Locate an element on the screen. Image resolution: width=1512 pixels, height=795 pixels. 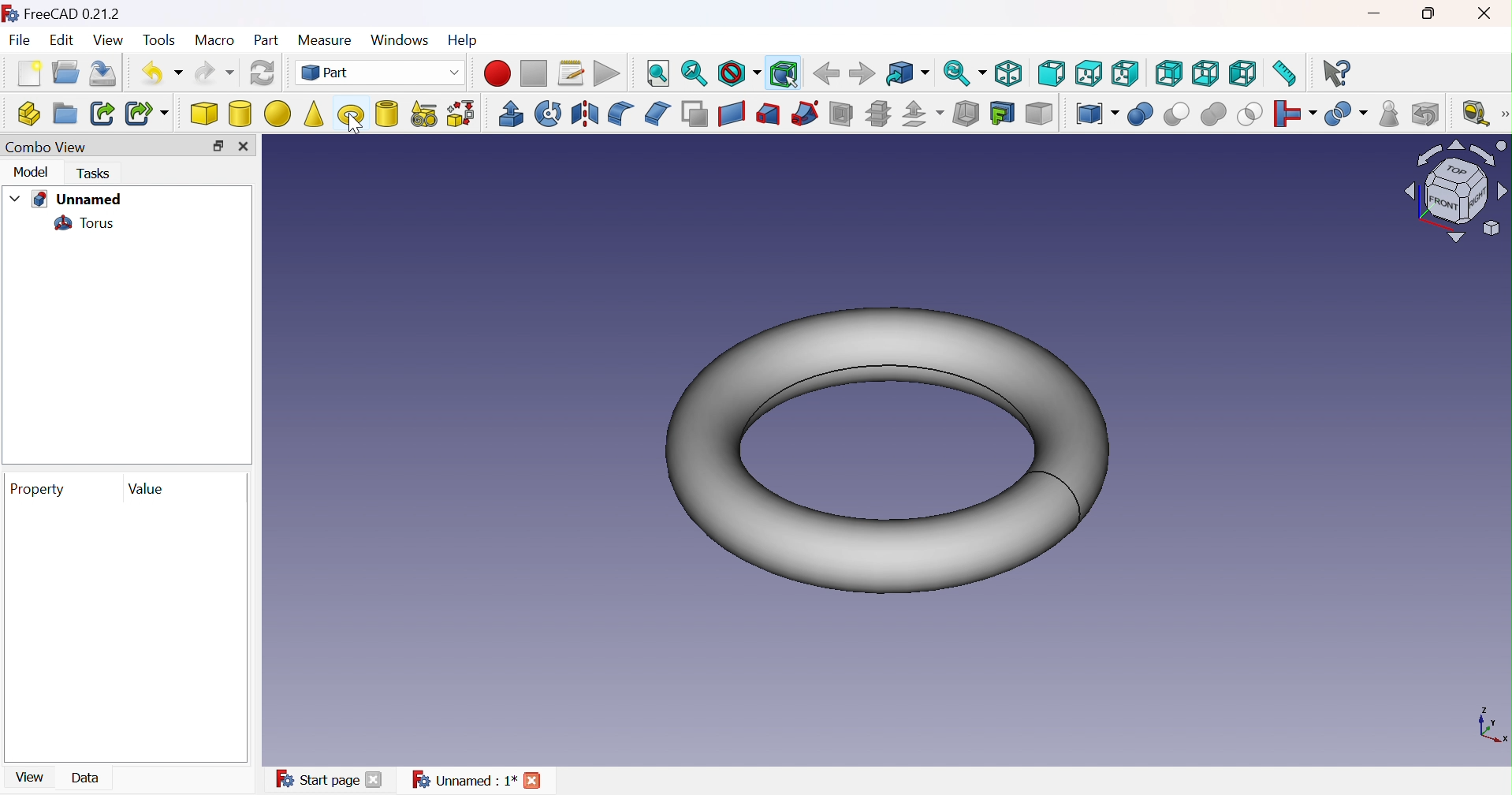
Left is located at coordinates (1244, 74).